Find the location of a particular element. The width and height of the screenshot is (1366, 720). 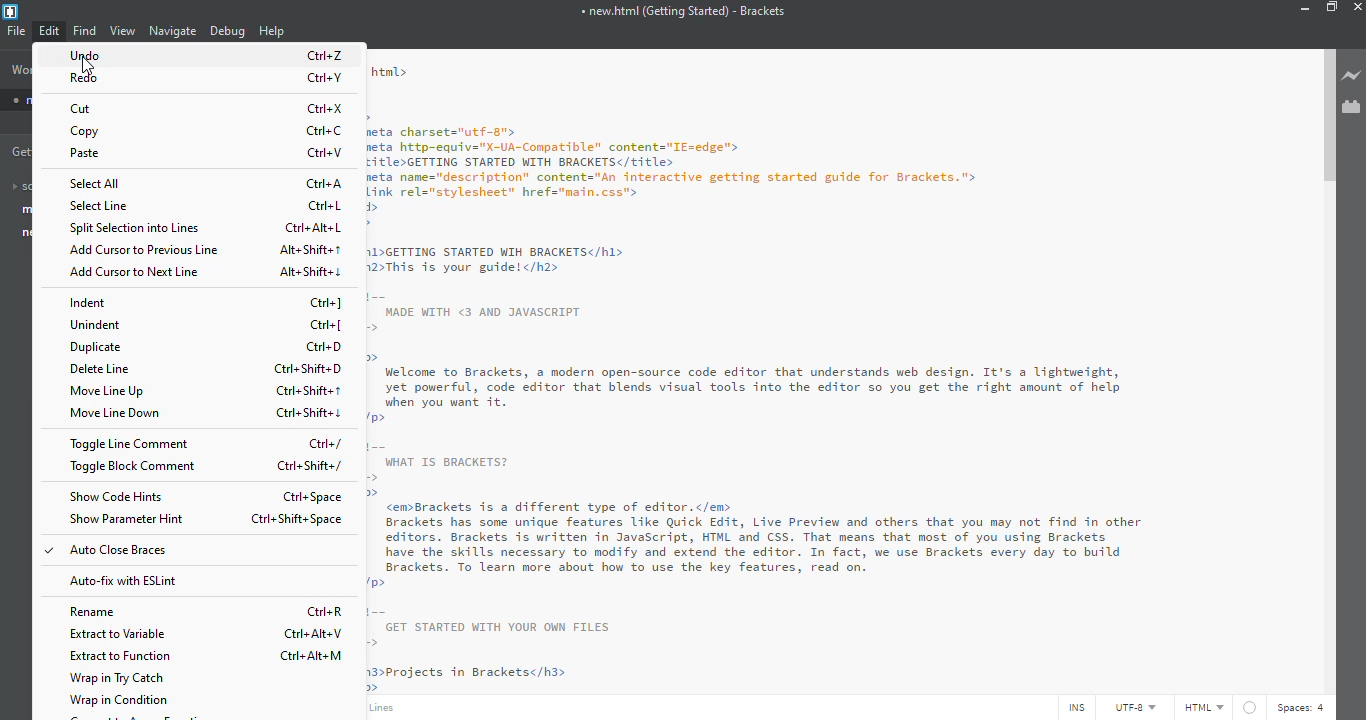

cut is located at coordinates (85, 108).